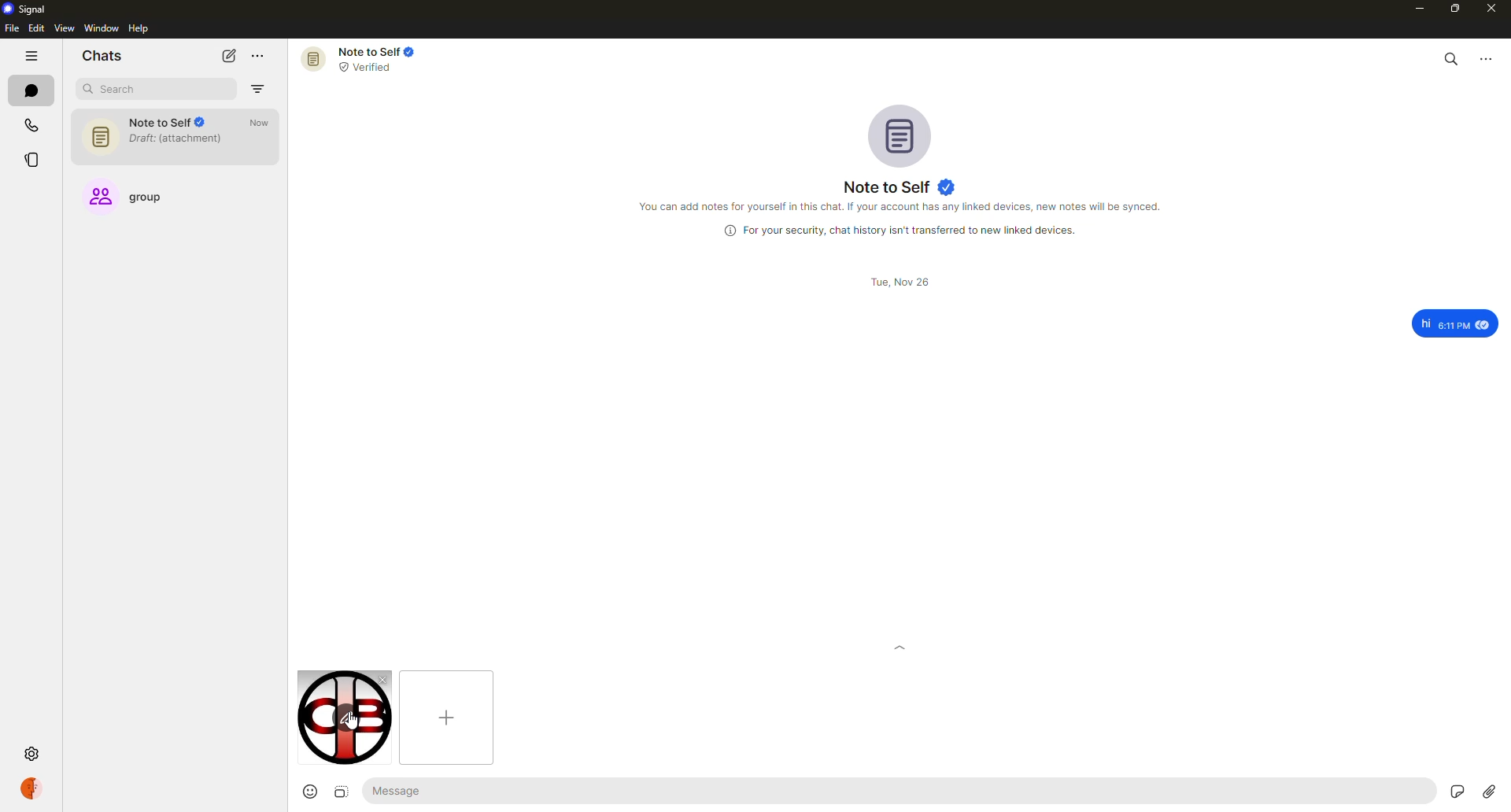  I want to click on message, so click(1456, 326).